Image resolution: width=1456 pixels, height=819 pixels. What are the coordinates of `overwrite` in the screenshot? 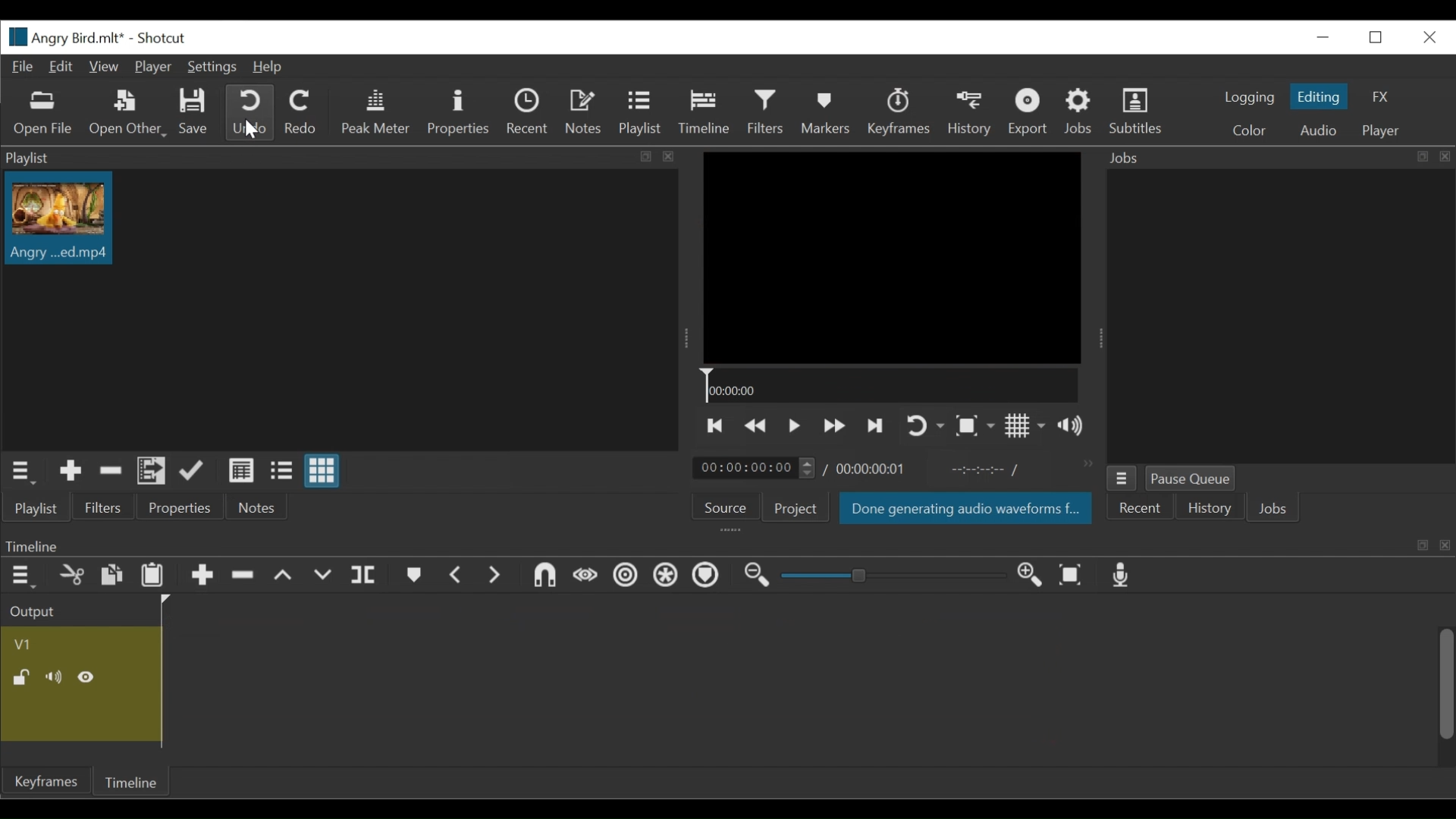 It's located at (322, 577).